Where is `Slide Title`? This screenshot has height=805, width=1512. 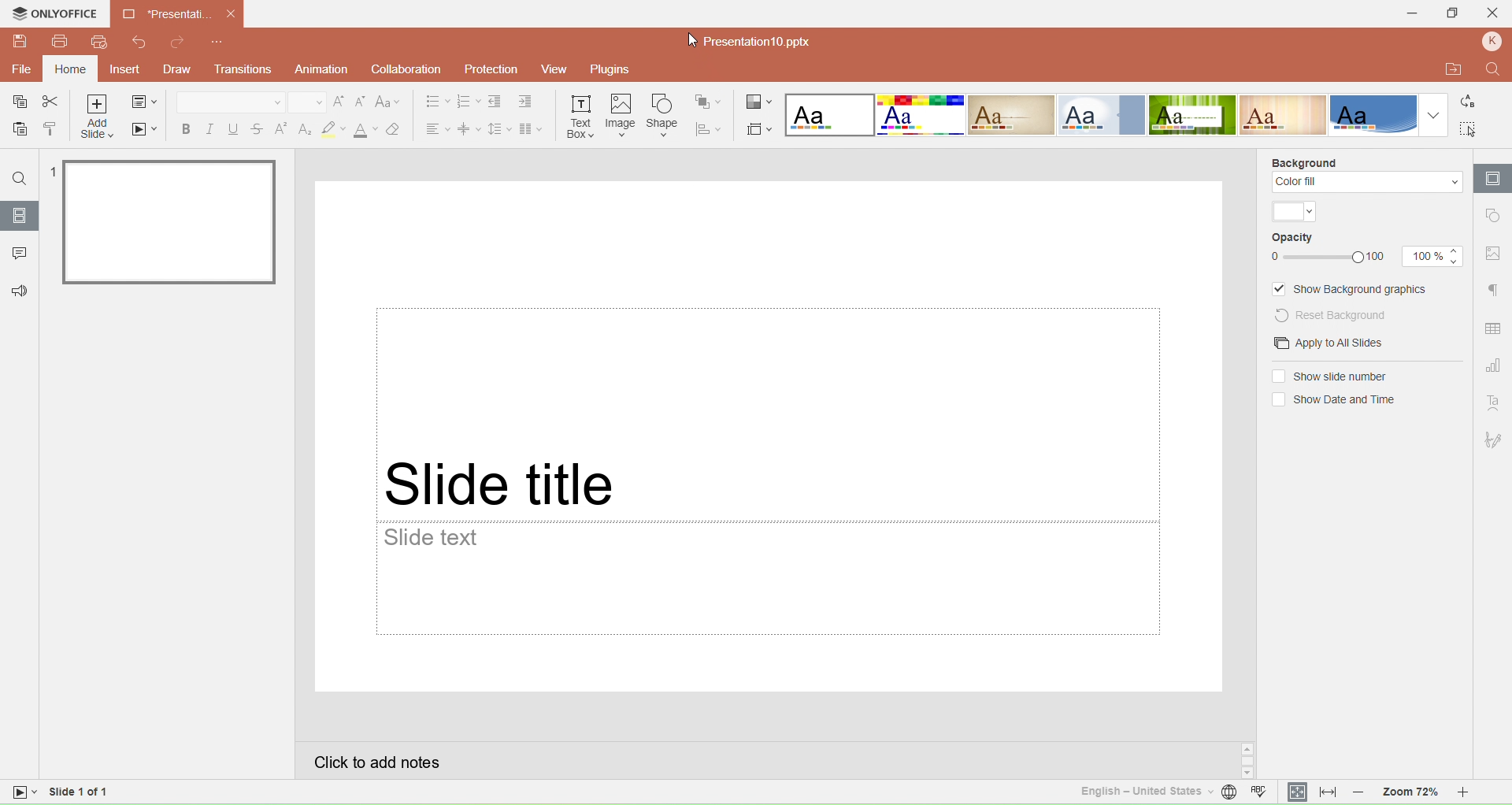 Slide Title is located at coordinates (768, 413).